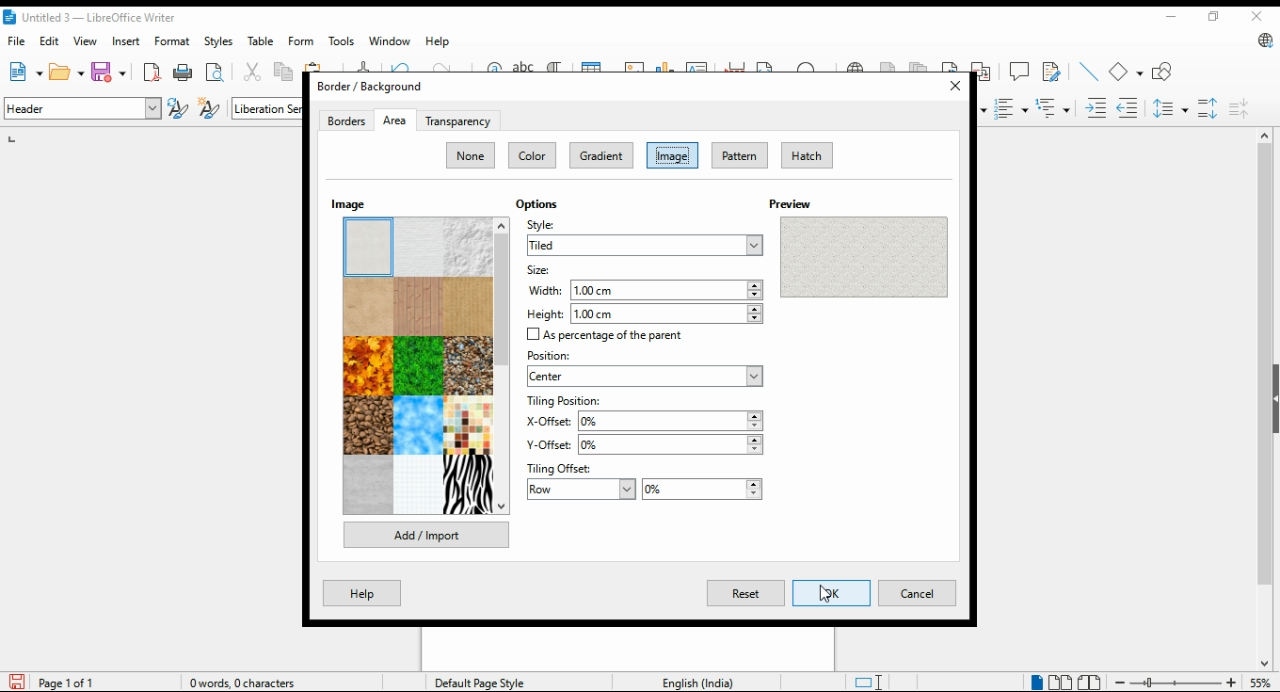  I want to click on multipage view, so click(1062, 683).